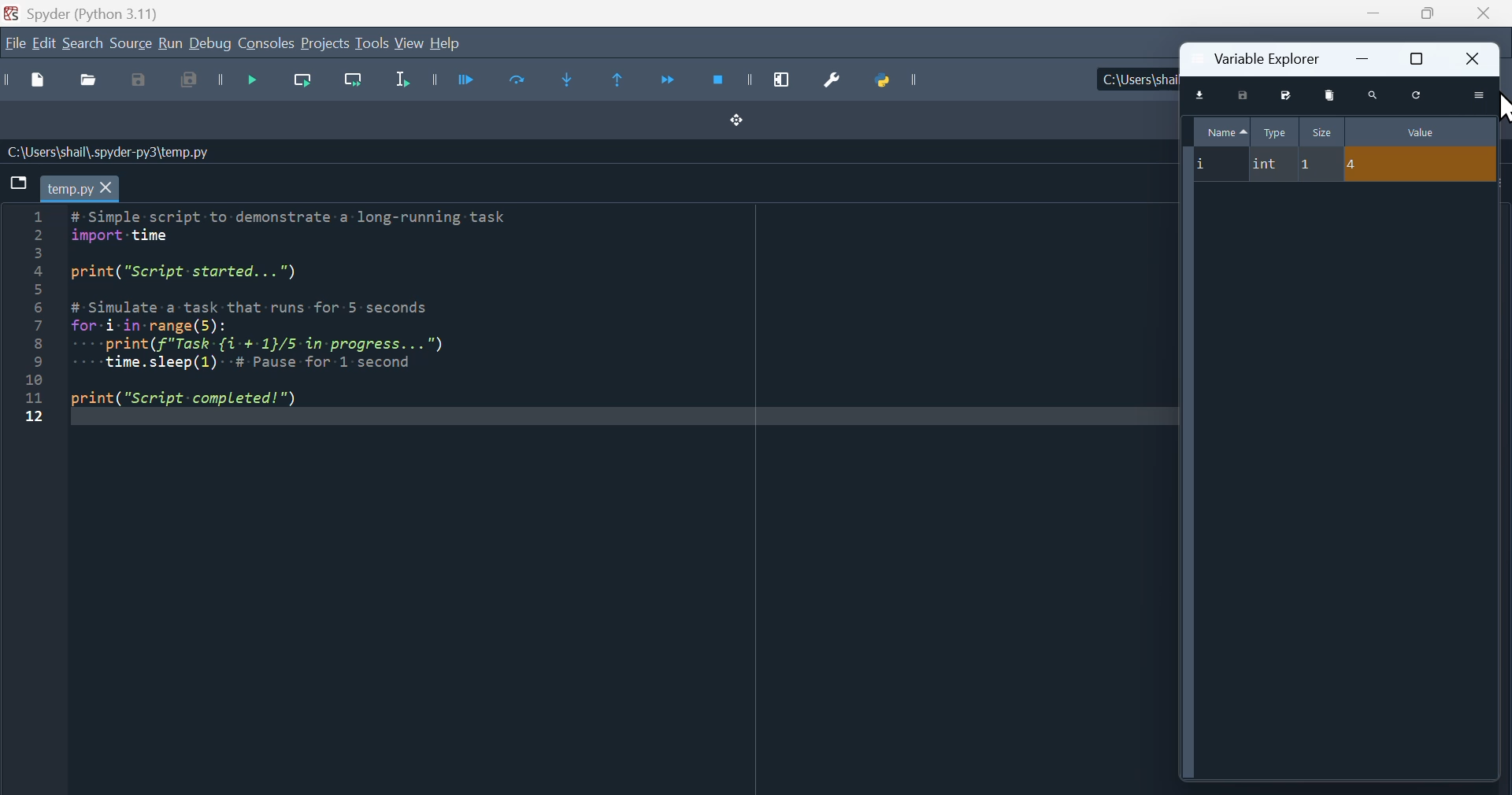 This screenshot has width=1512, height=795. What do you see at coordinates (31, 317) in the screenshot?
I see `line number` at bounding box center [31, 317].